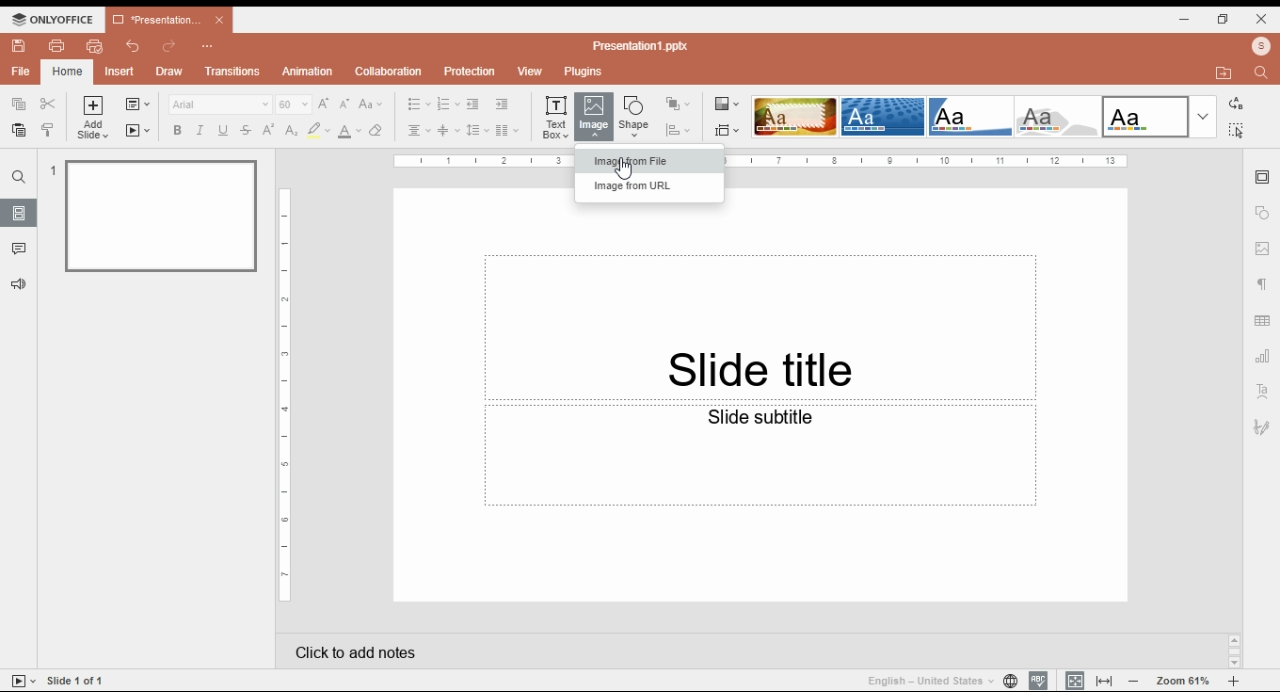 Image resolution: width=1280 pixels, height=692 pixels. Describe the element at coordinates (1224, 73) in the screenshot. I see `open file location` at that location.